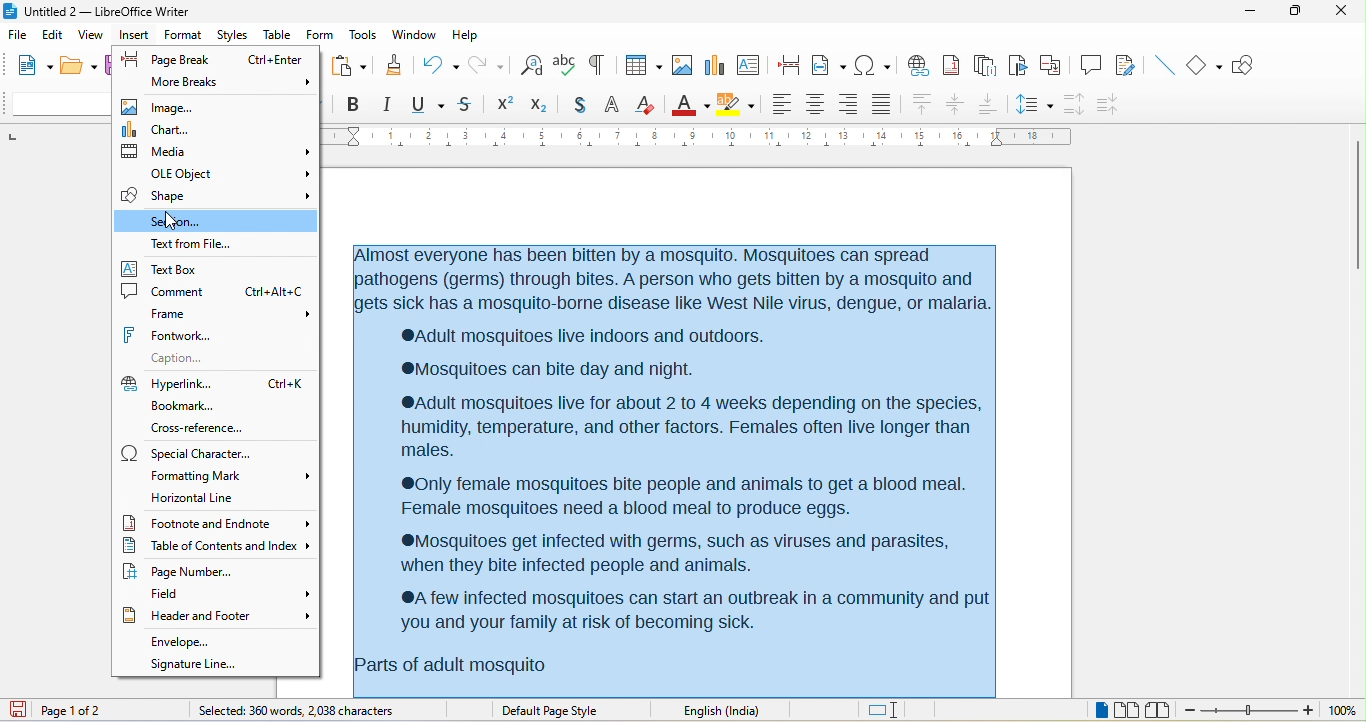  I want to click on click to save the document, so click(17, 710).